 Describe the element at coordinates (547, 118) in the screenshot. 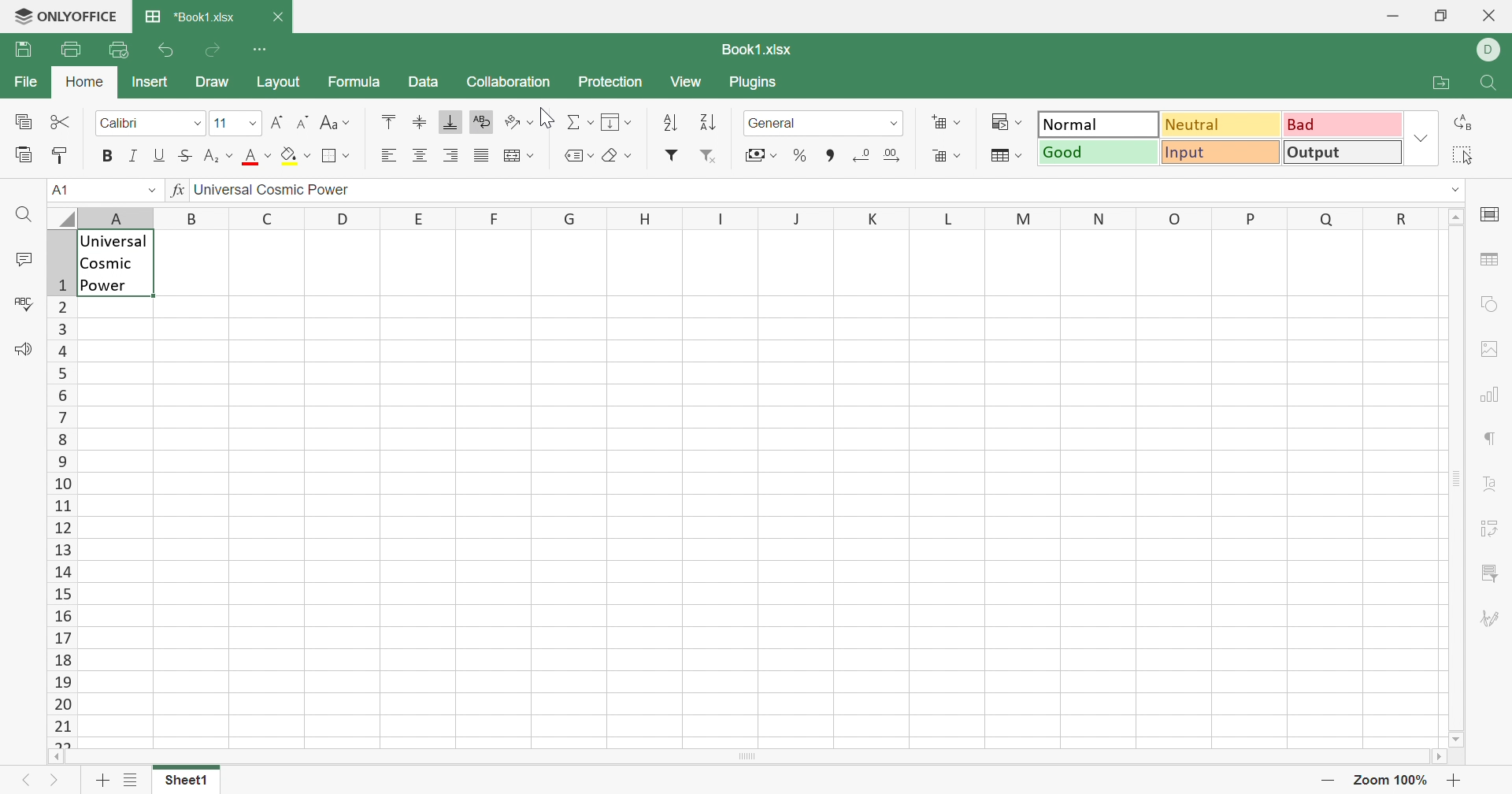

I see `Cursor` at that location.